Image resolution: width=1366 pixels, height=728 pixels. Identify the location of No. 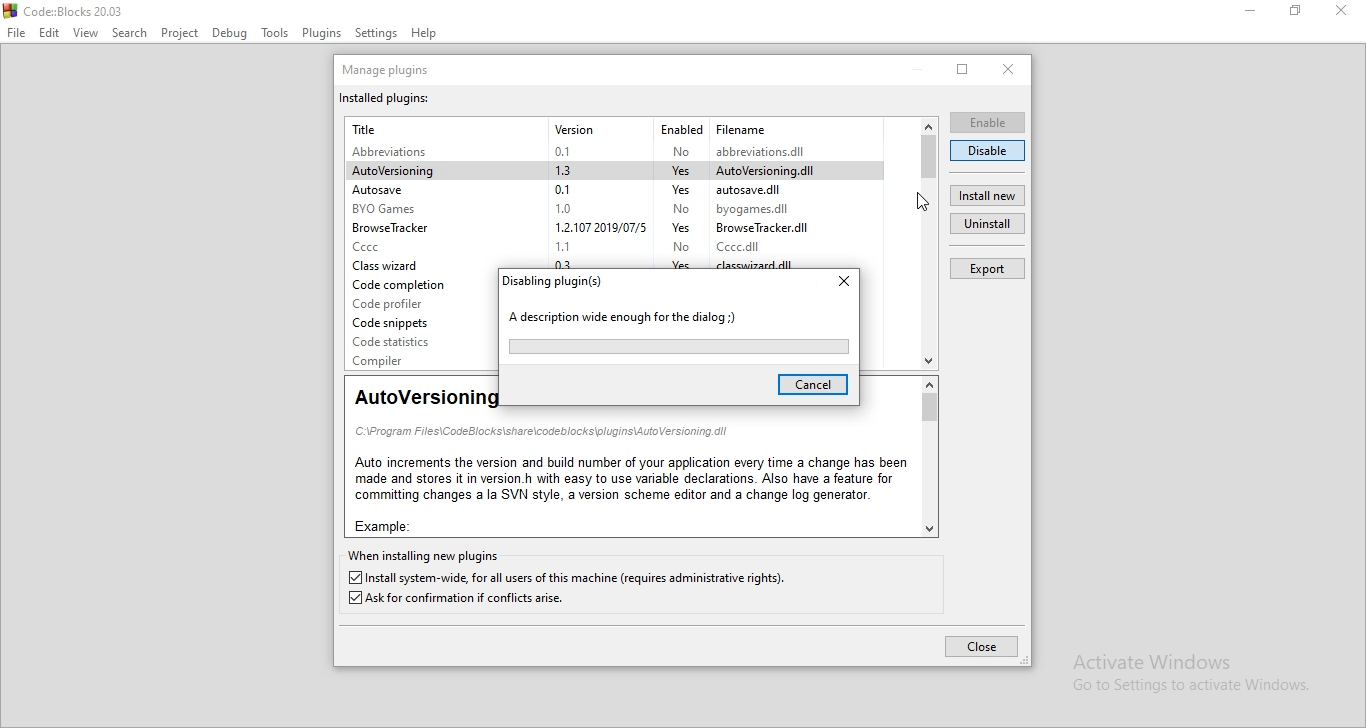
(679, 151).